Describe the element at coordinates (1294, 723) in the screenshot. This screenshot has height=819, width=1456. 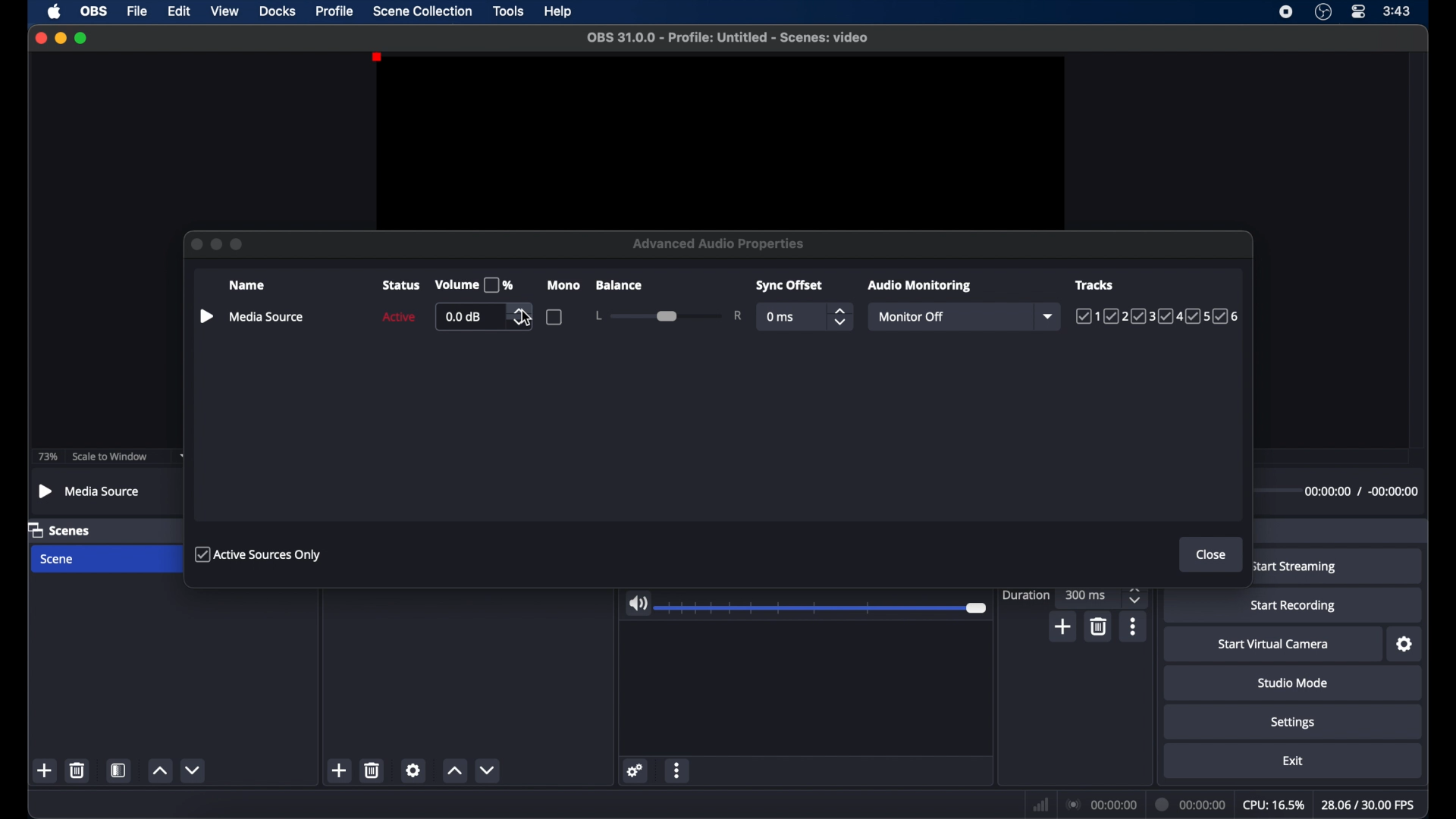
I see `settings` at that location.